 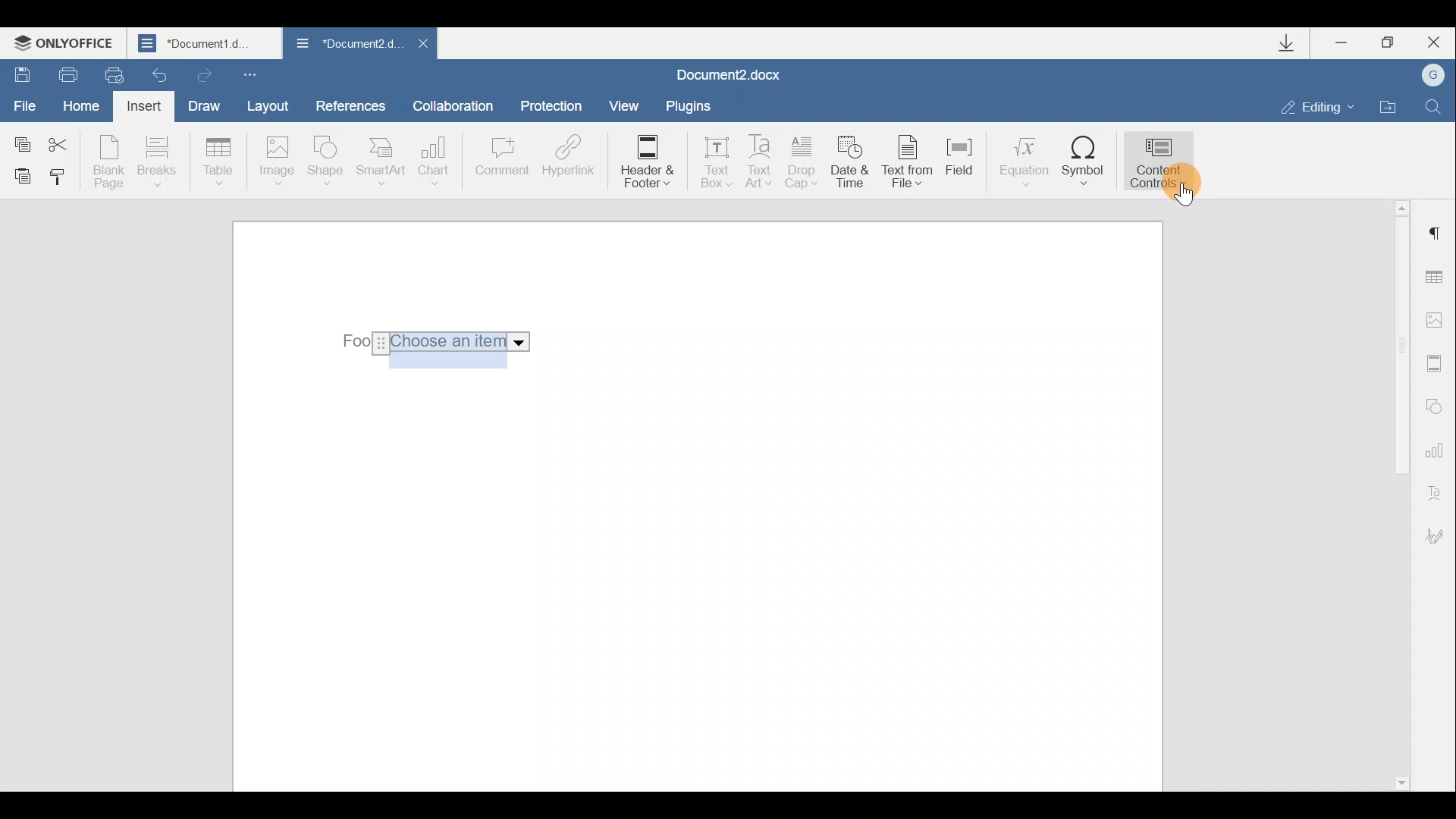 What do you see at coordinates (219, 163) in the screenshot?
I see `Table` at bounding box center [219, 163].